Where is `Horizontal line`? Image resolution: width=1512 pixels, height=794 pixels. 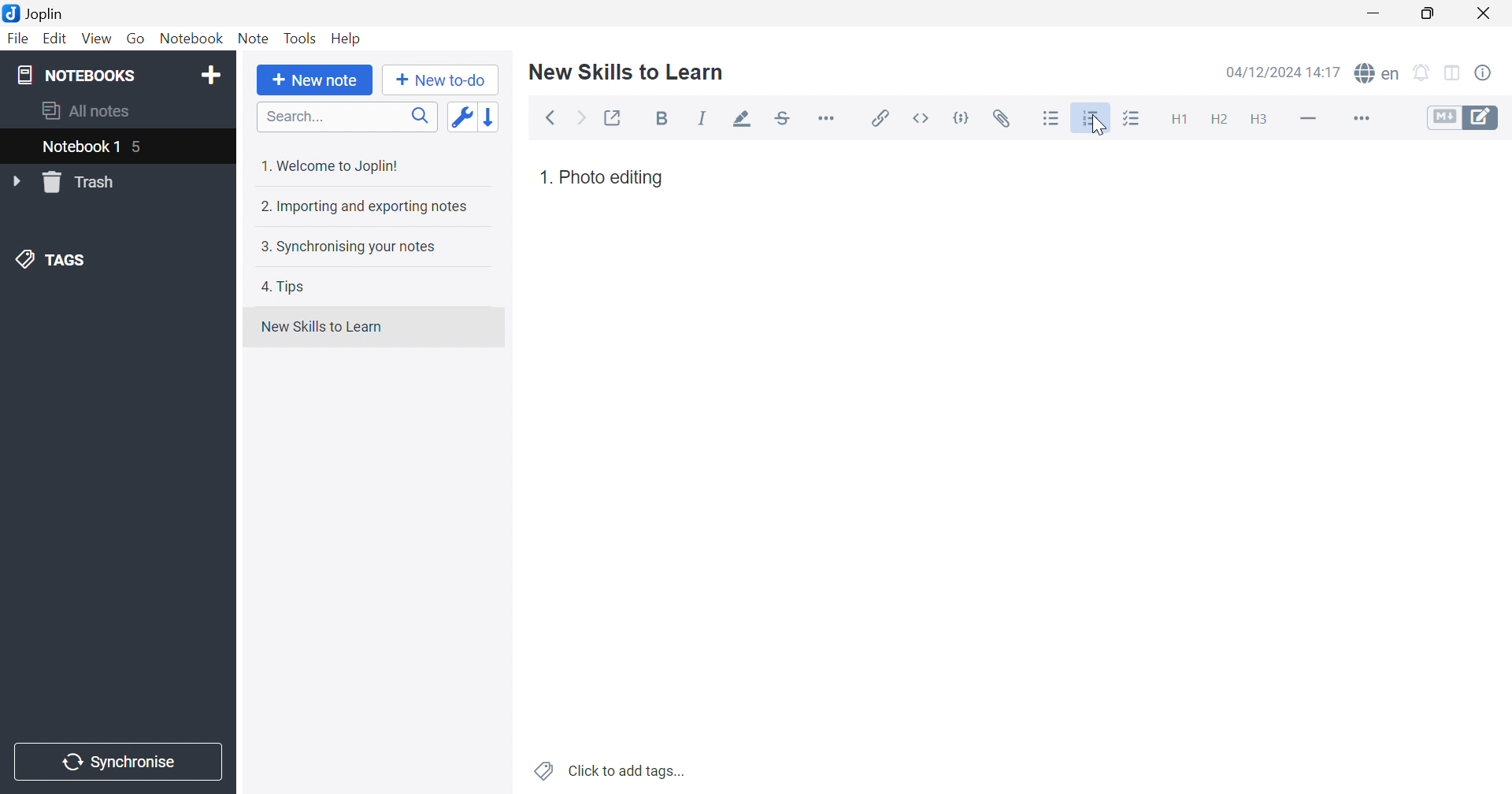 Horizontal line is located at coordinates (1310, 117).